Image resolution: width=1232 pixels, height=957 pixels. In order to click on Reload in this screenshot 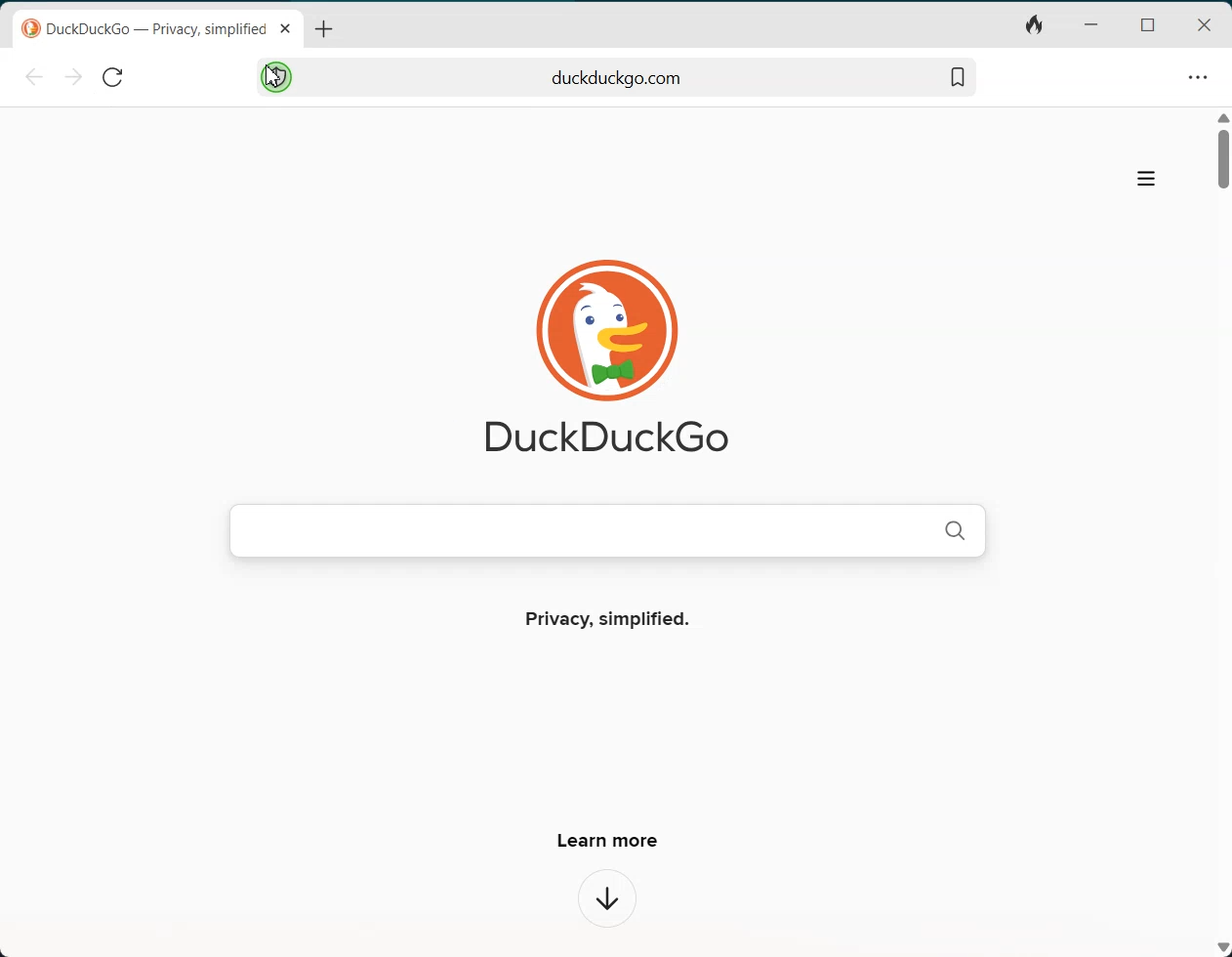, I will do `click(111, 75)`.